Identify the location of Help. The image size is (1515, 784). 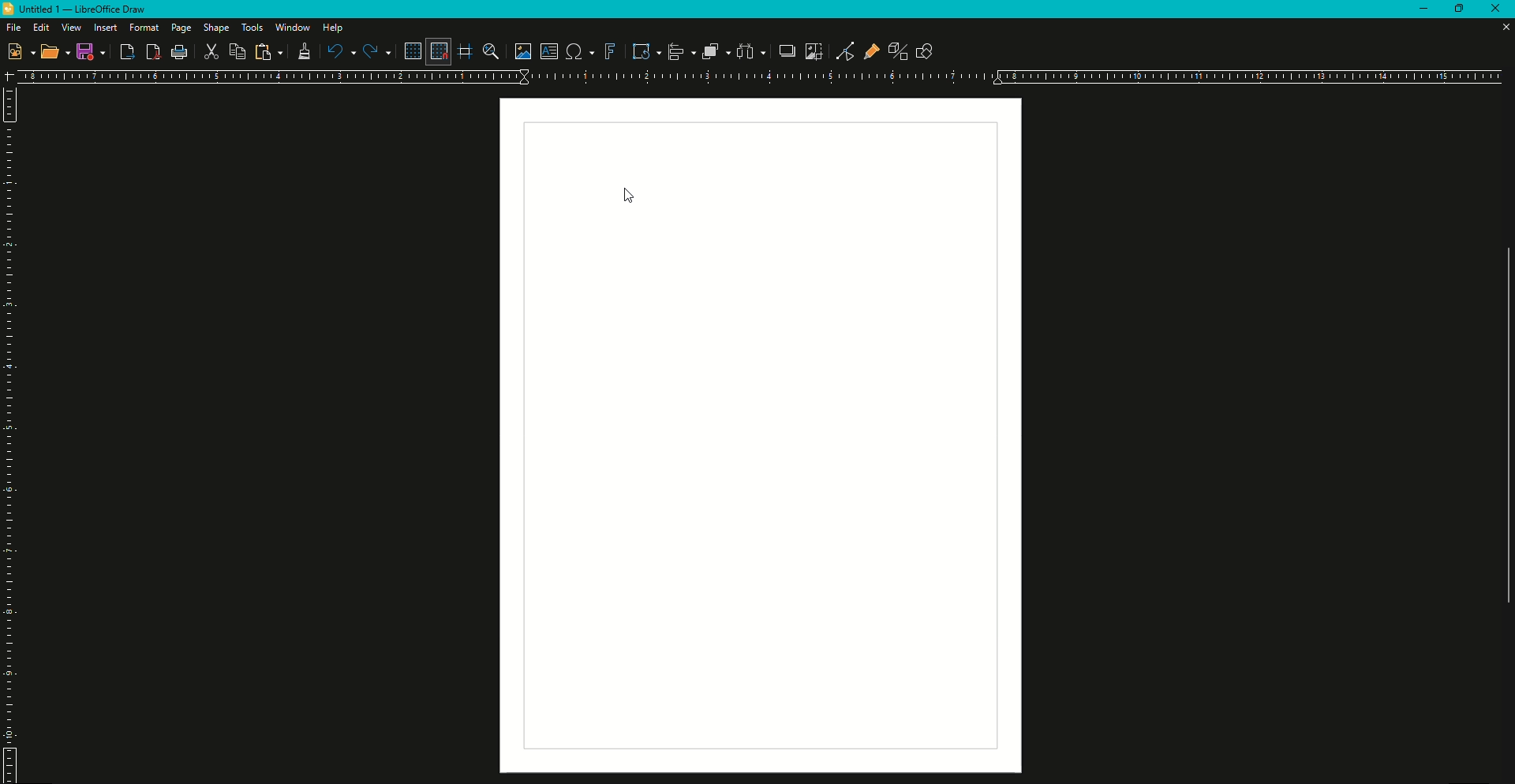
(332, 28).